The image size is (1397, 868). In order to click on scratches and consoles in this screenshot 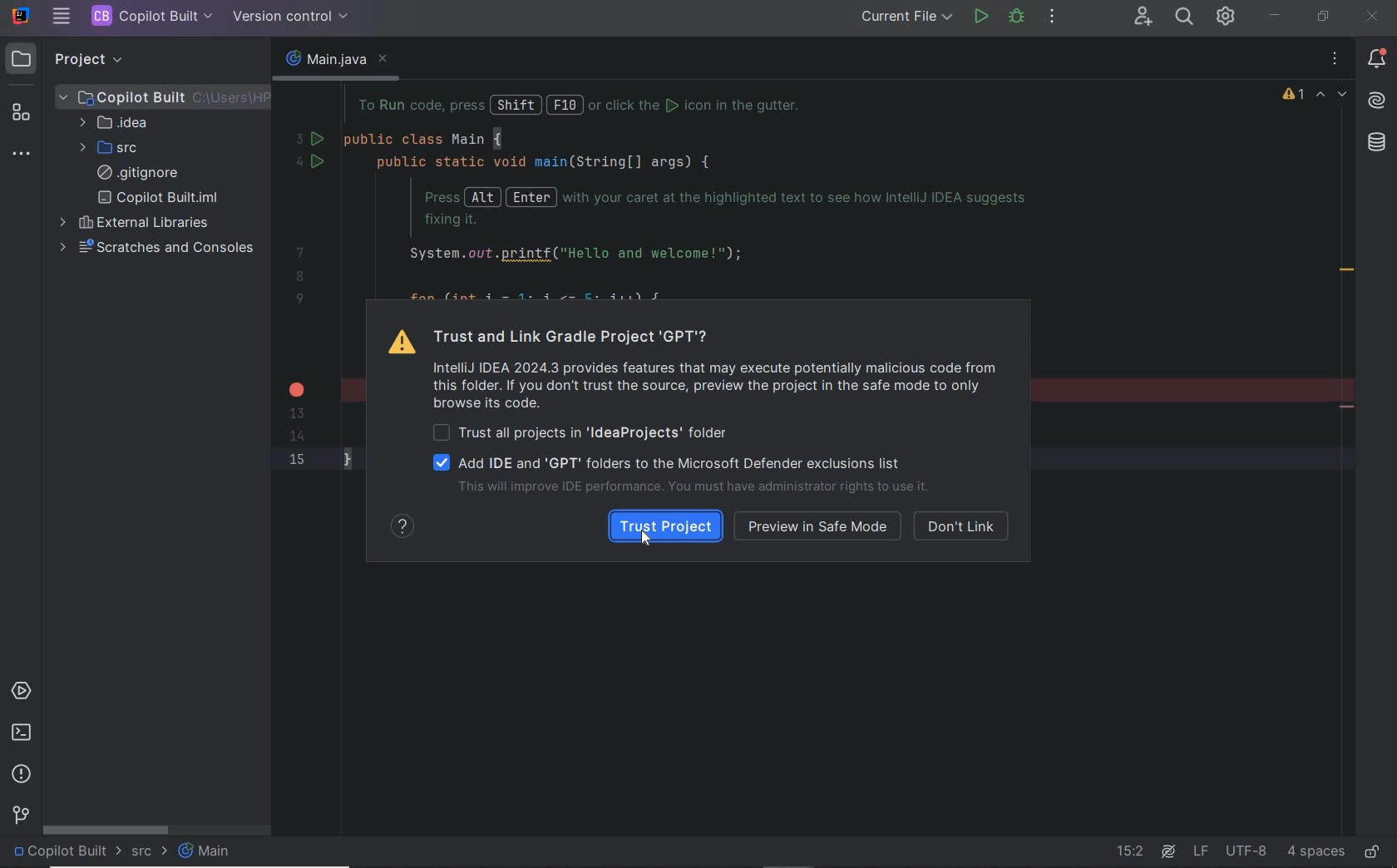, I will do `click(157, 250)`.